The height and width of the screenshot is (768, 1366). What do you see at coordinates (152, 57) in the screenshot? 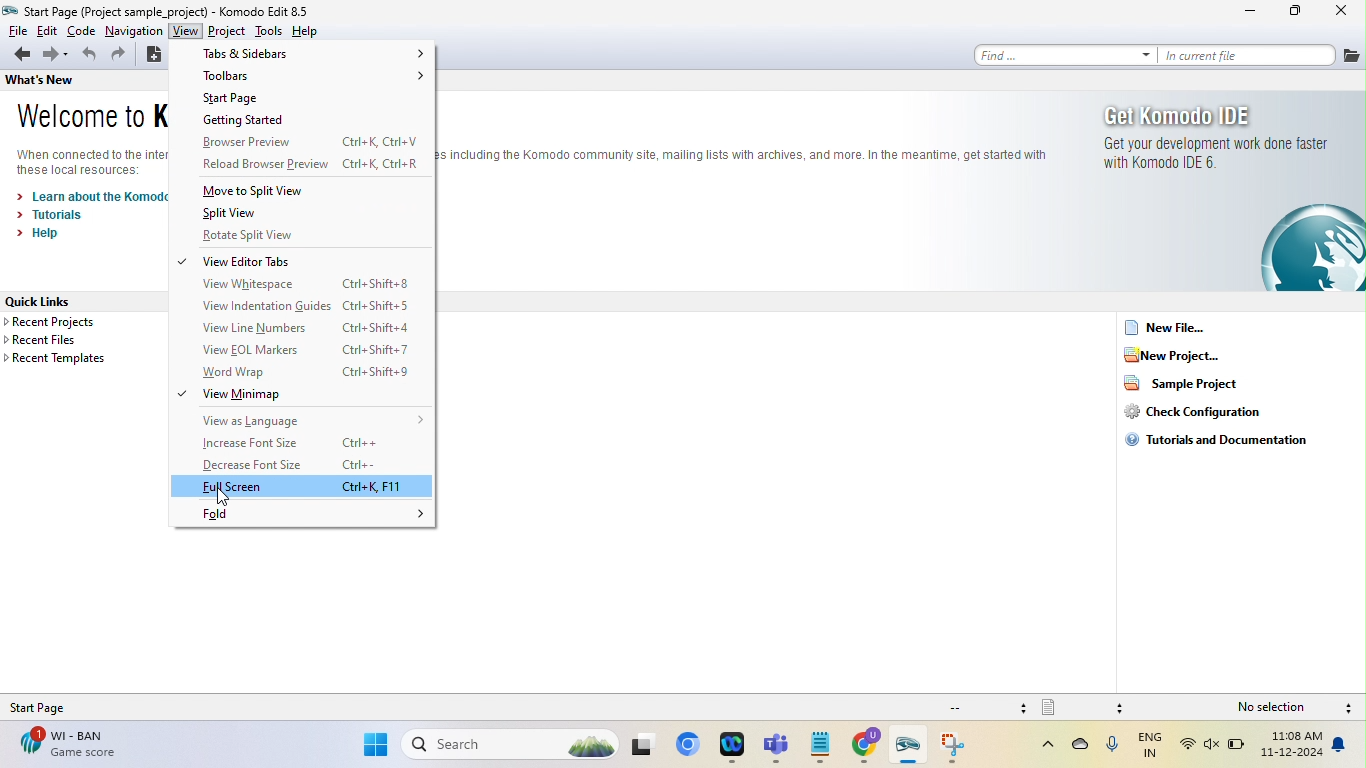
I see `new` at bounding box center [152, 57].